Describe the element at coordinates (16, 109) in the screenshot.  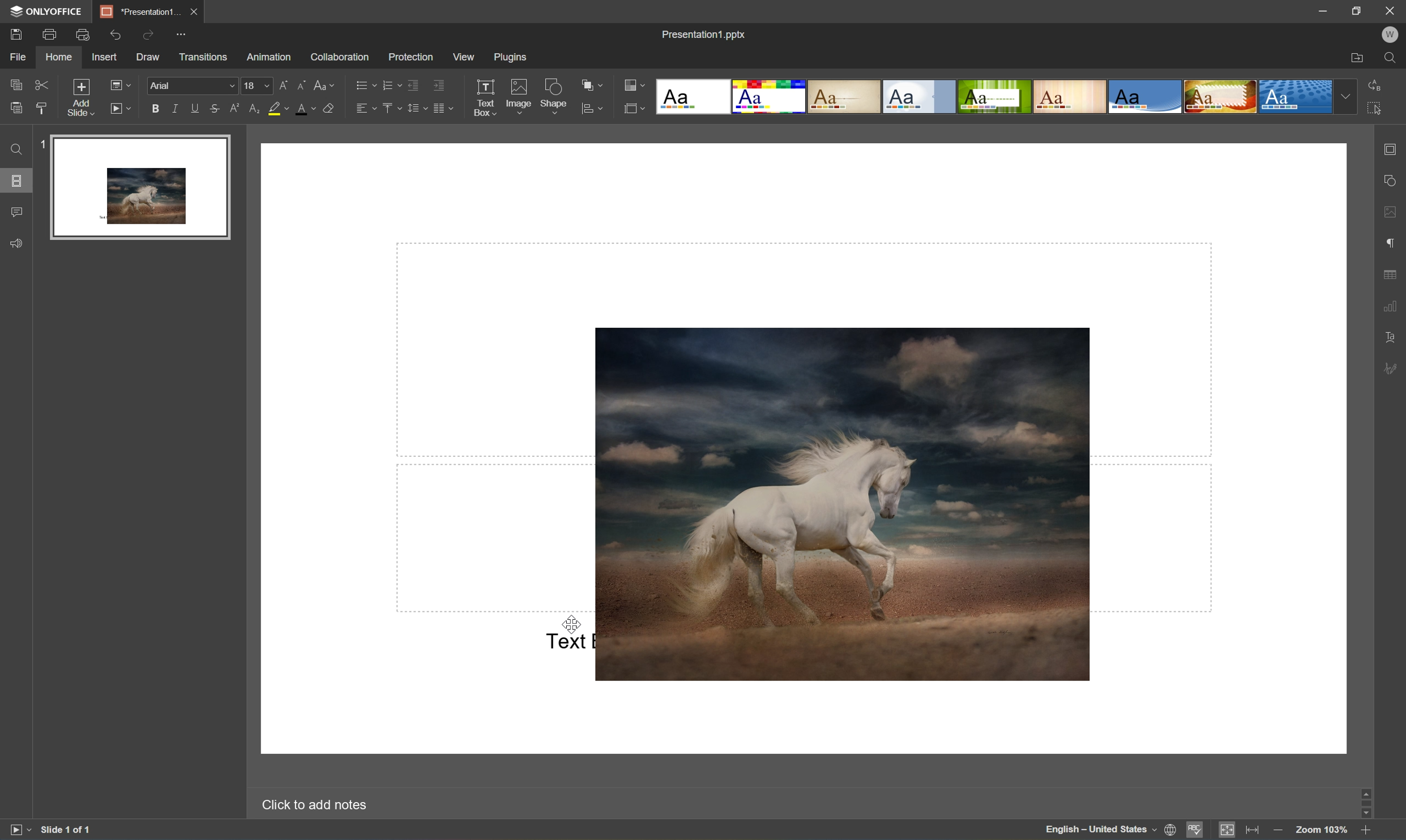
I see `Paste` at that location.